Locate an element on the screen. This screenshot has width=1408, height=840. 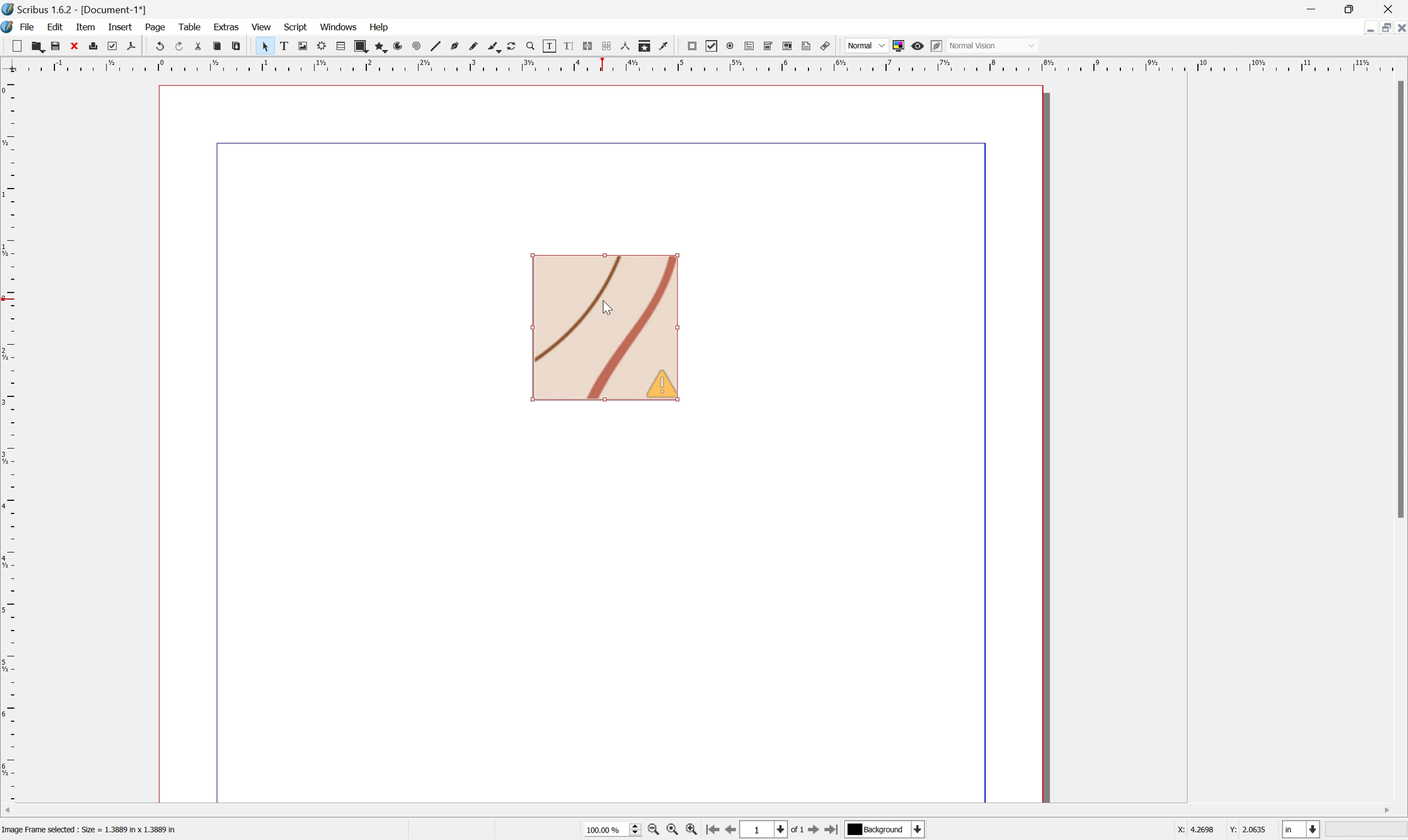
PDF list box is located at coordinates (790, 46).